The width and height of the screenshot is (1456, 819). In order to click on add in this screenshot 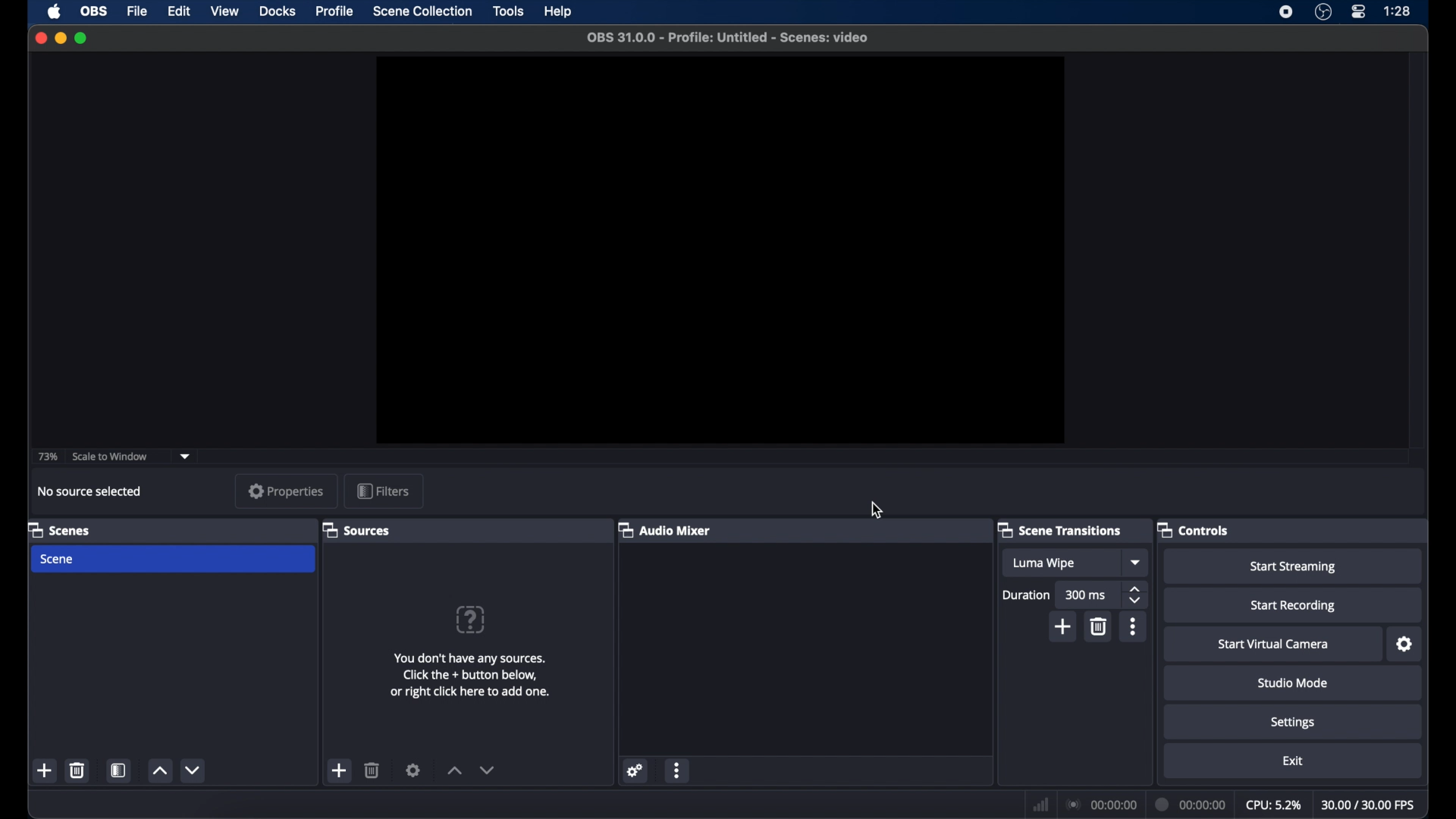, I will do `click(340, 770)`.